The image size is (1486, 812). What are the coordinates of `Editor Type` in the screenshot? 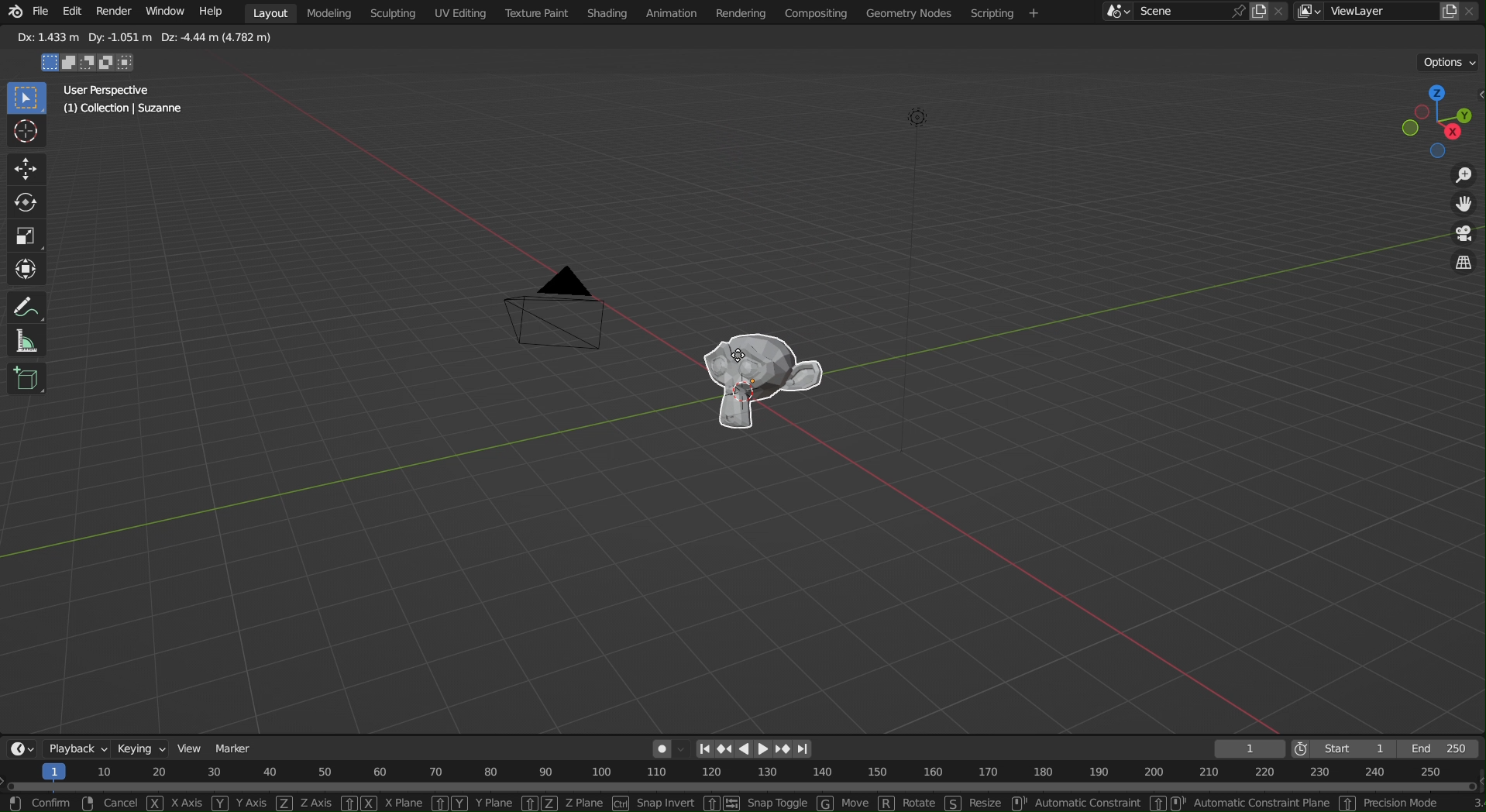 It's located at (22, 750).